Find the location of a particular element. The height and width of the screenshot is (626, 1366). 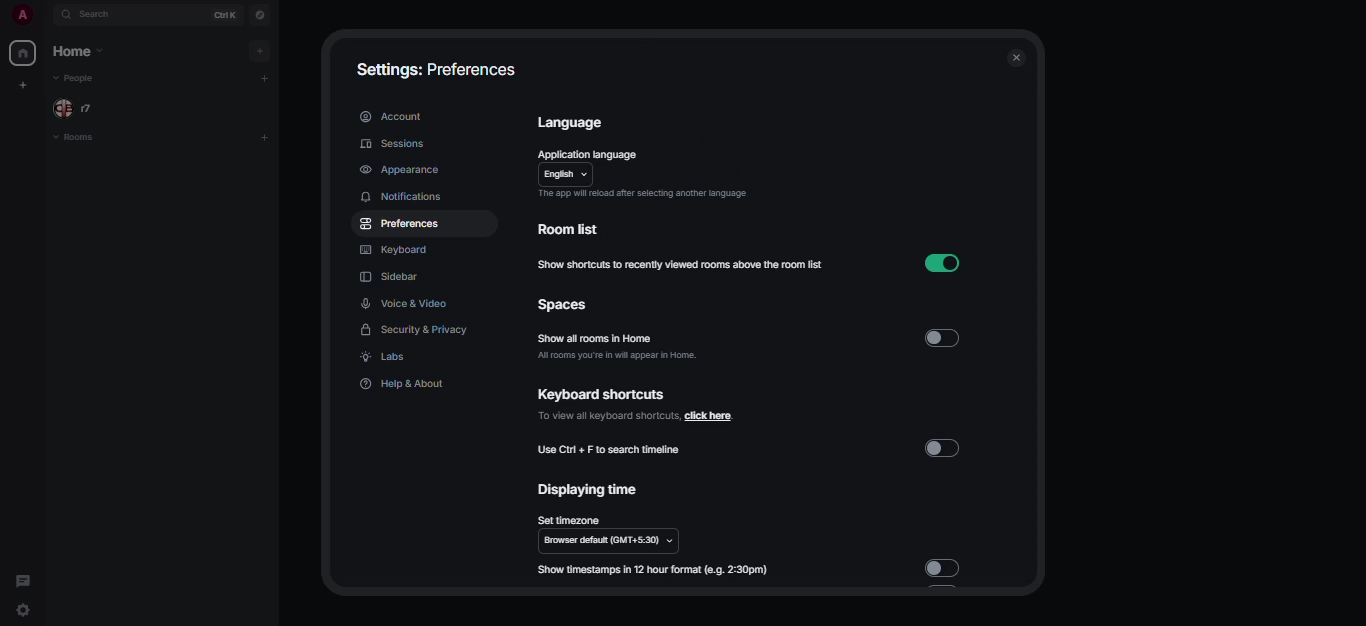

language is located at coordinates (568, 119).